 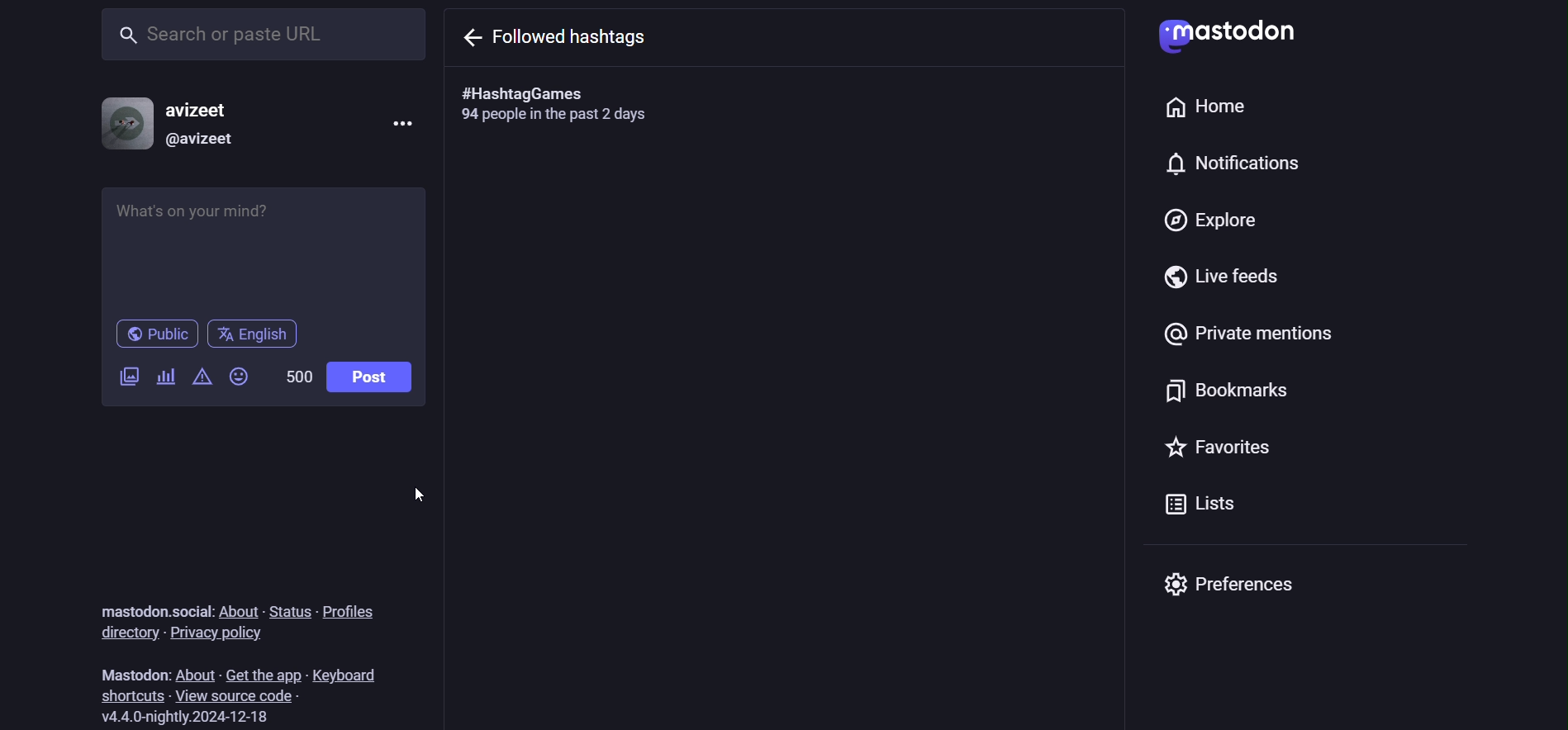 What do you see at coordinates (1204, 108) in the screenshot?
I see `home` at bounding box center [1204, 108].